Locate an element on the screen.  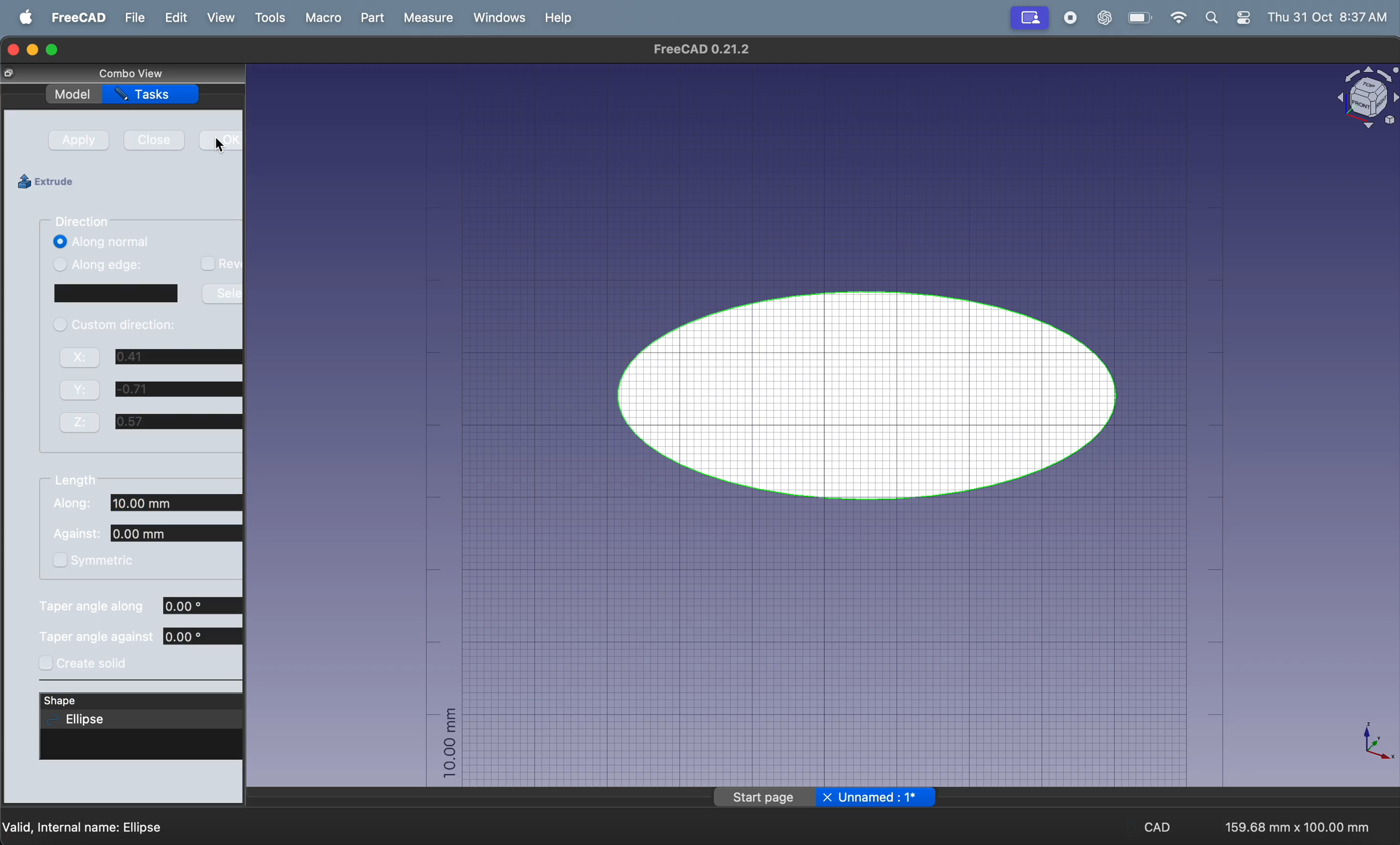
edit is located at coordinates (173, 19).